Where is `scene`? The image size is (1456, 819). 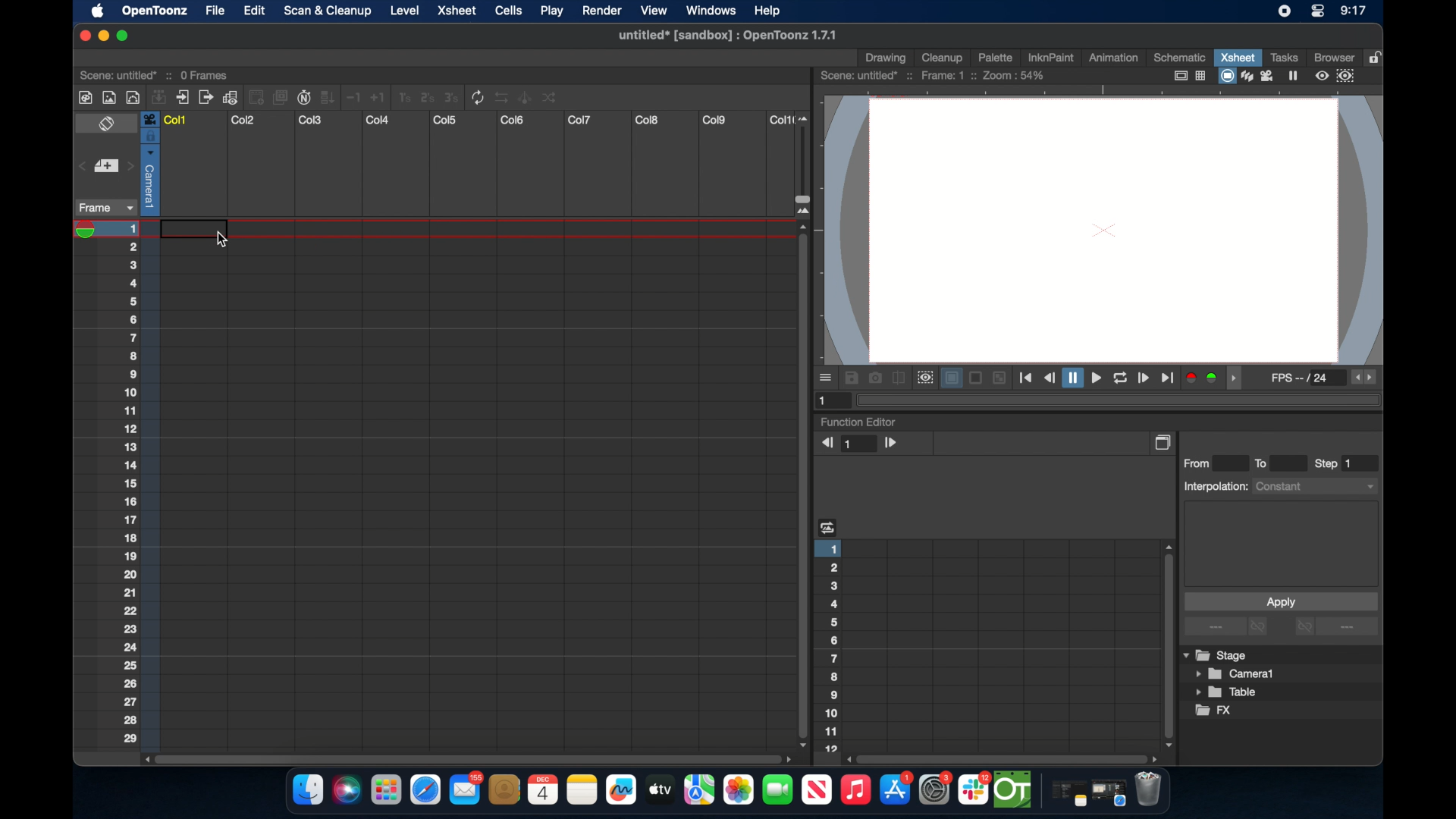 scene is located at coordinates (155, 74).